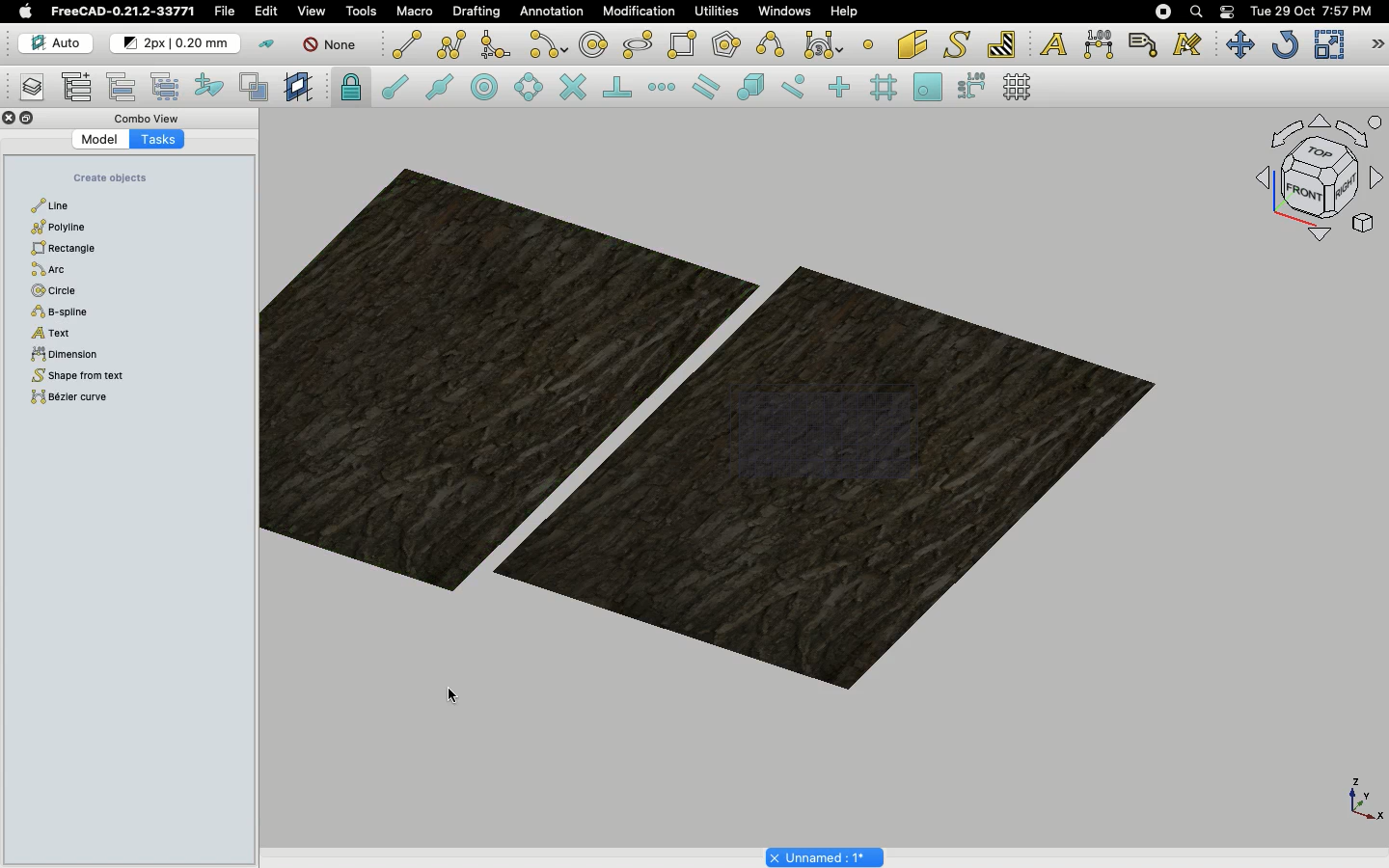 This screenshot has width=1389, height=868. What do you see at coordinates (717, 12) in the screenshot?
I see `Utilities` at bounding box center [717, 12].